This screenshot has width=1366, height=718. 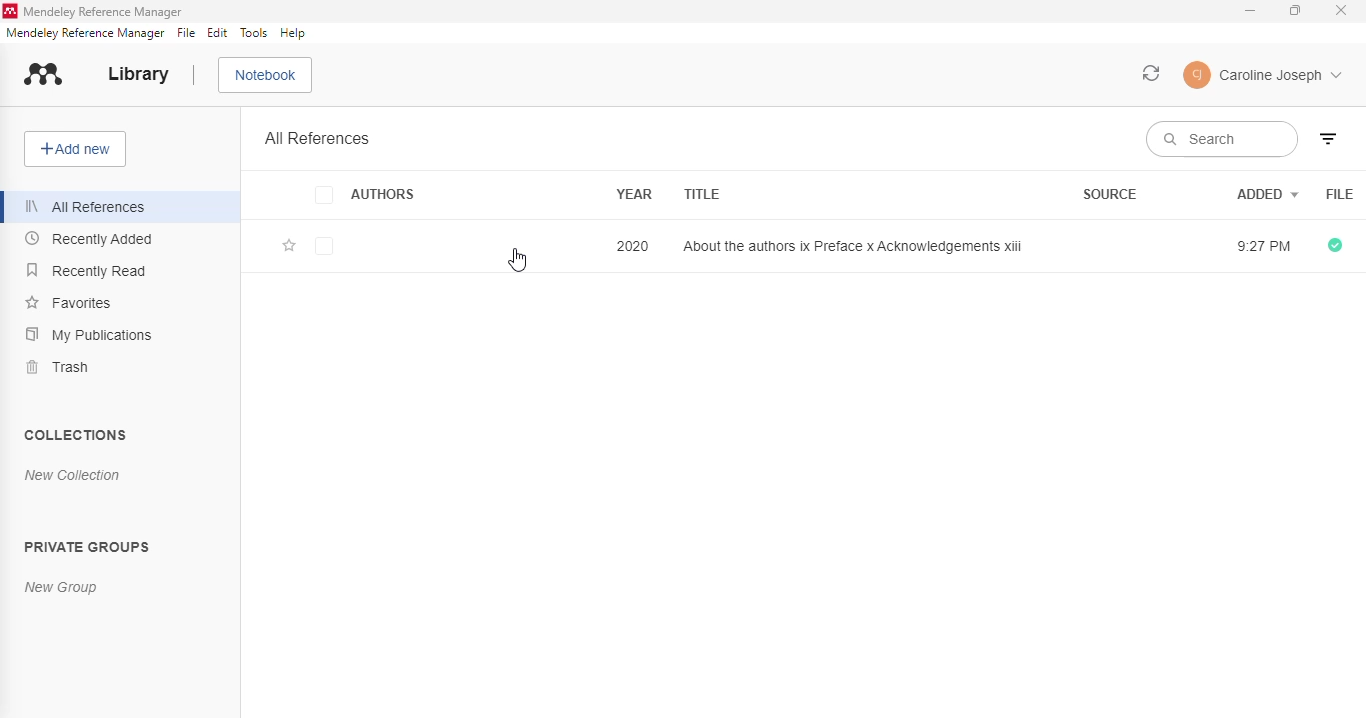 I want to click on logo, so click(x=9, y=11).